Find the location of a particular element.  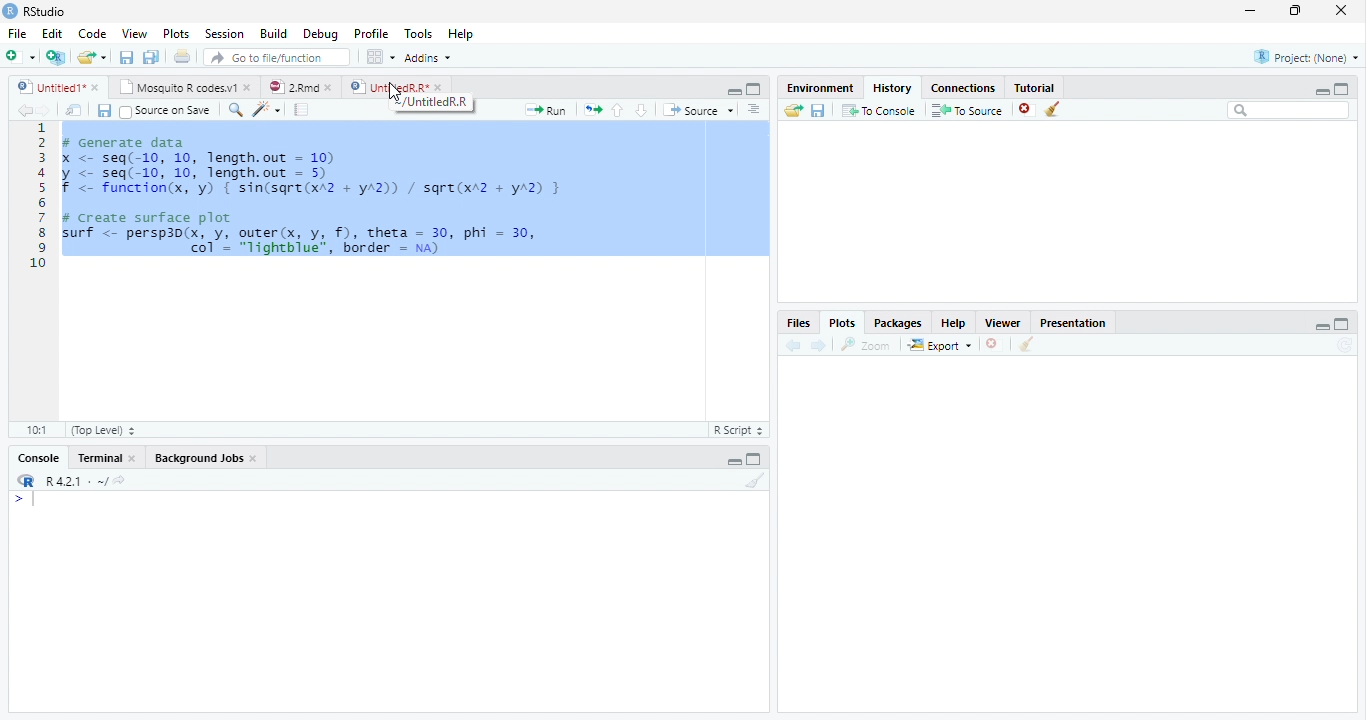

Workspace panes is located at coordinates (379, 56).